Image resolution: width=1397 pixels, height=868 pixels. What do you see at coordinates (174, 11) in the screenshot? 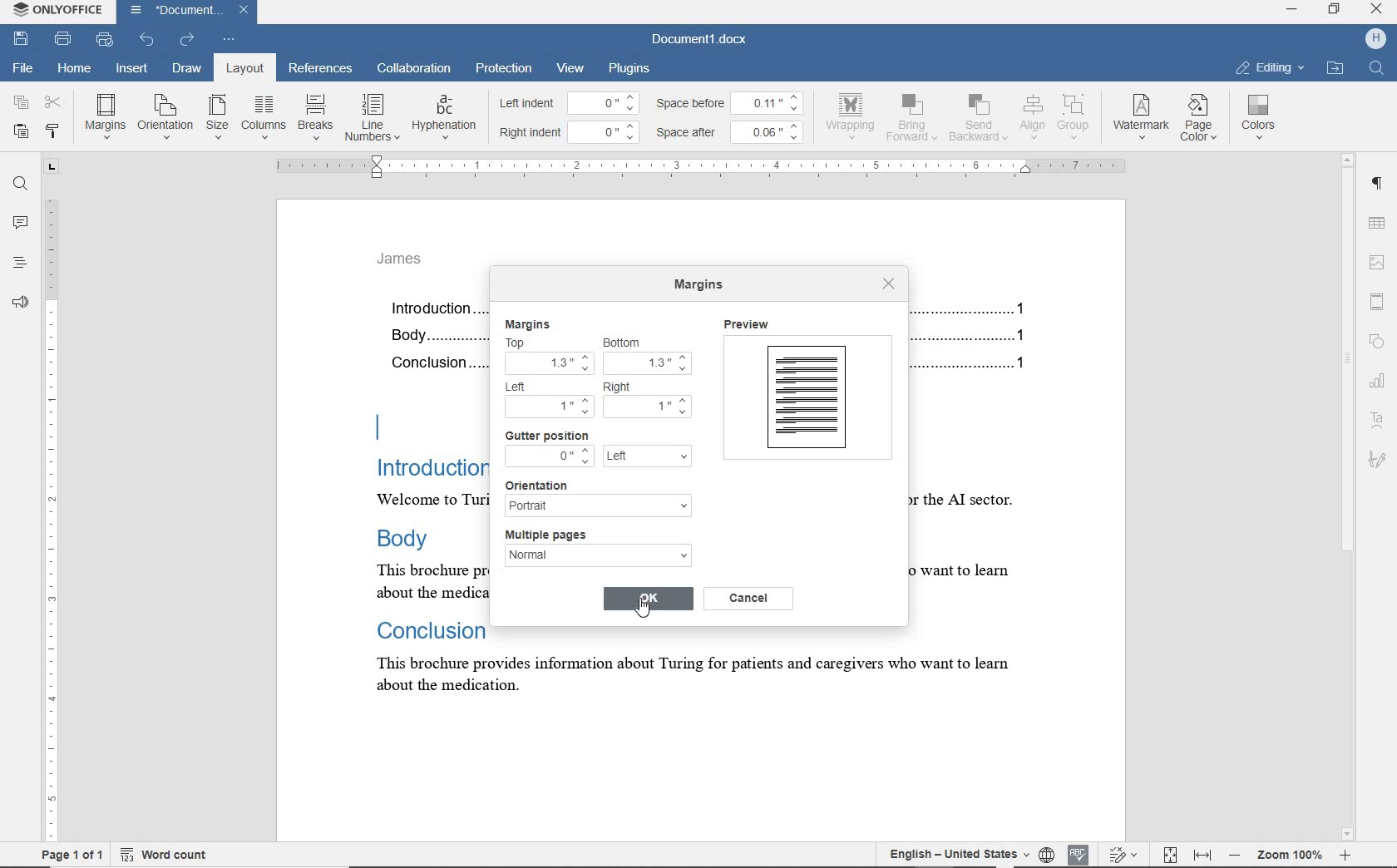
I see `document name` at bounding box center [174, 11].